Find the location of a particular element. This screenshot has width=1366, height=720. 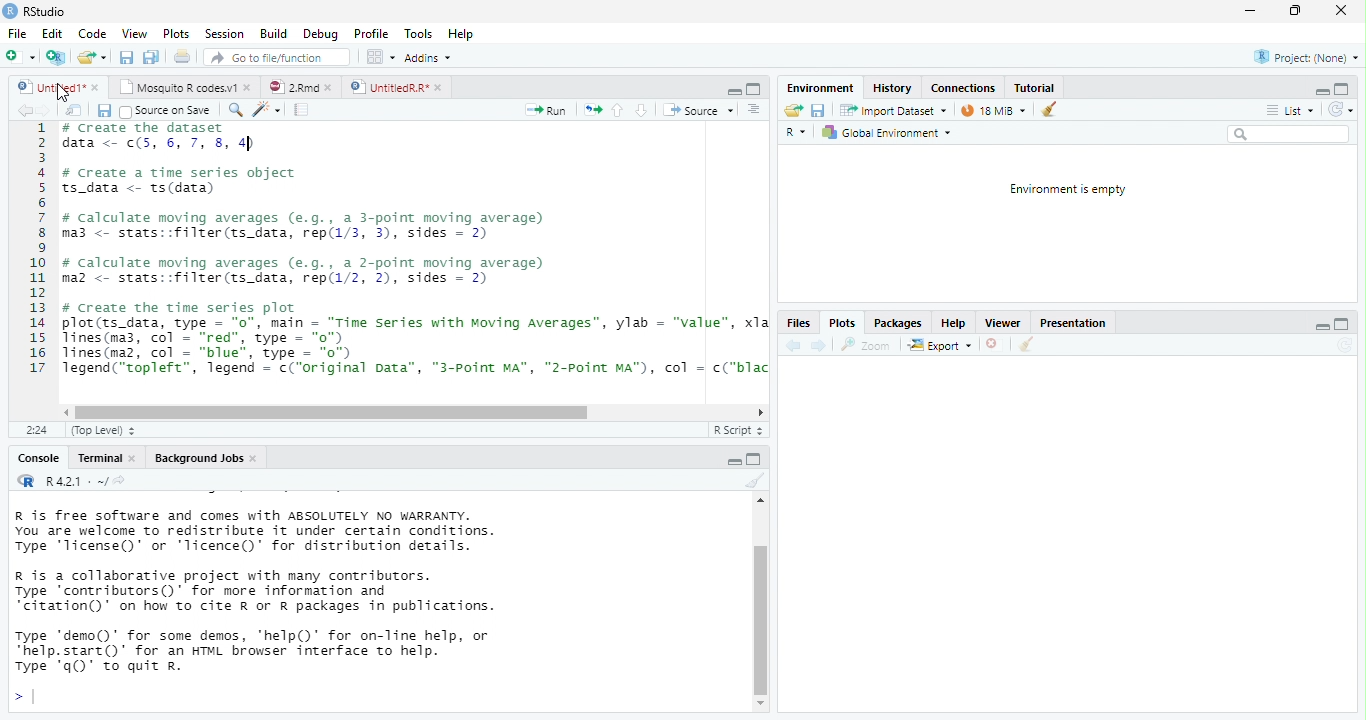

Mosquito R codes.v1 is located at coordinates (180, 86).